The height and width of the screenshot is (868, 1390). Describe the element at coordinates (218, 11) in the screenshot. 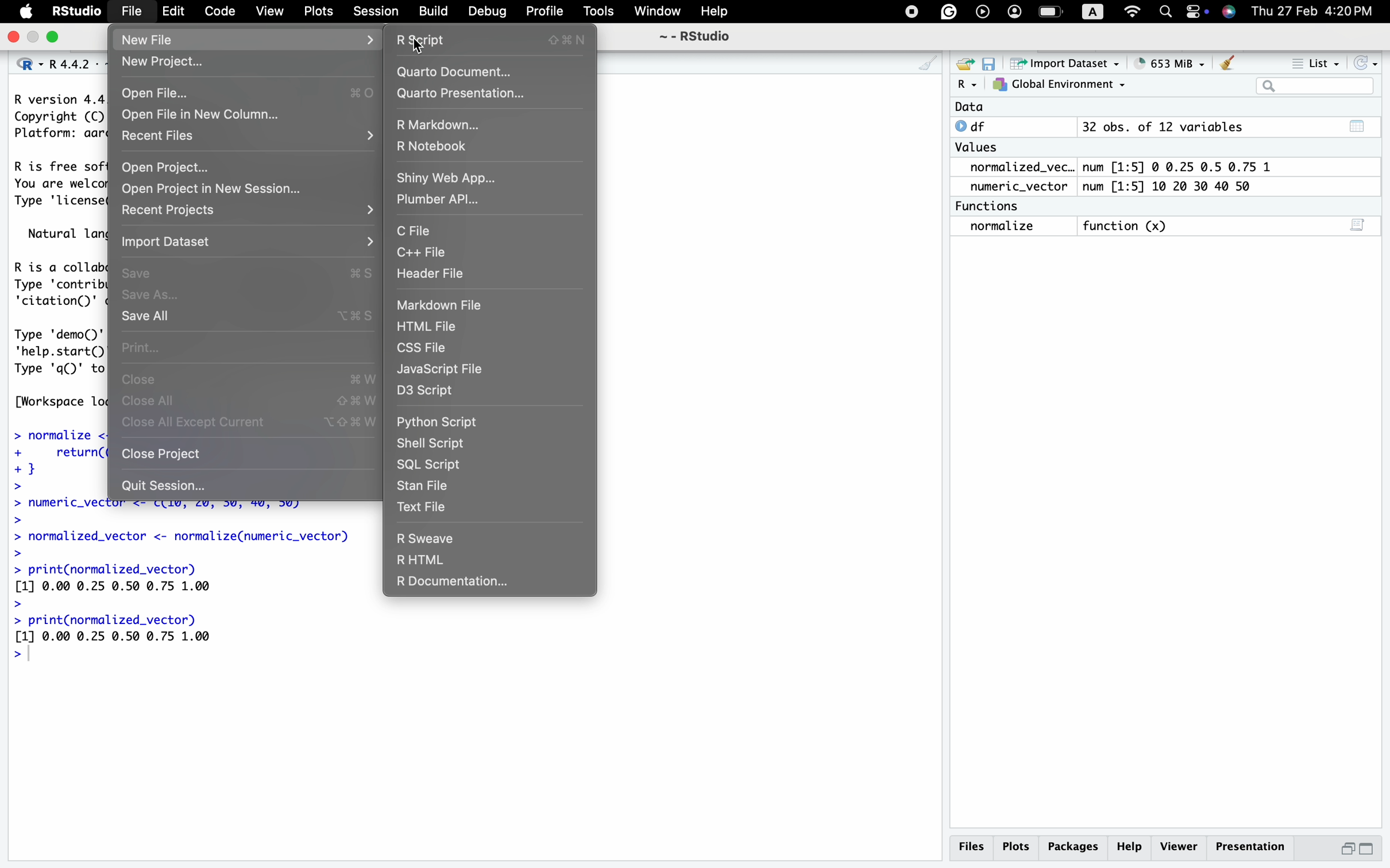

I see `Code` at that location.